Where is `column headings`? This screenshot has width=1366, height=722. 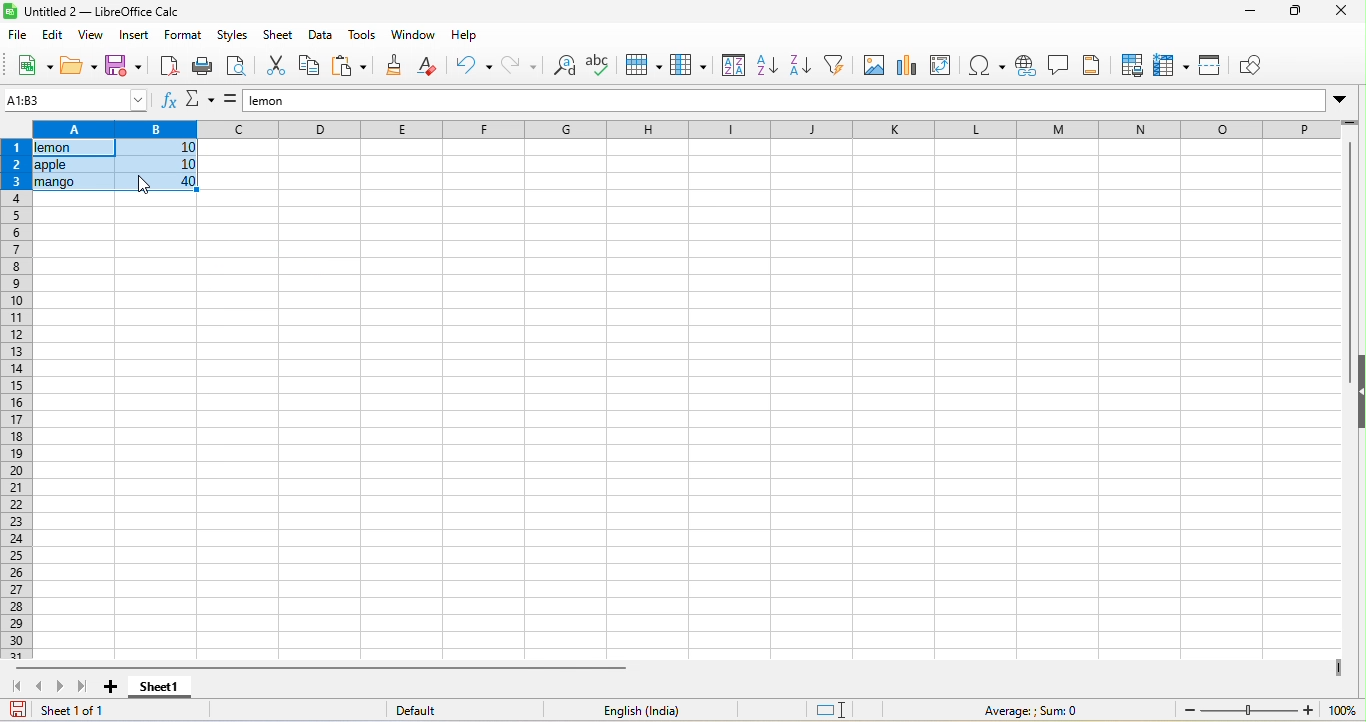
column headings is located at coordinates (678, 128).